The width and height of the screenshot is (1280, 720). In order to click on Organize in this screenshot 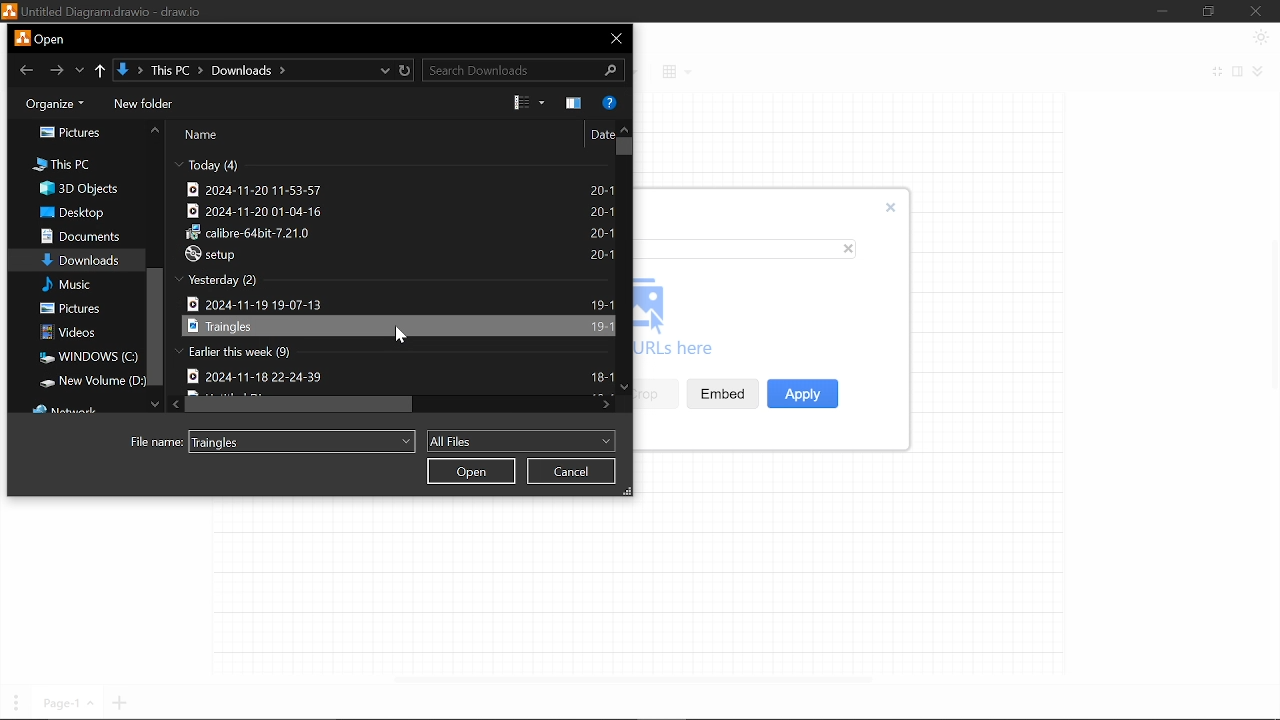, I will do `click(56, 105)`.